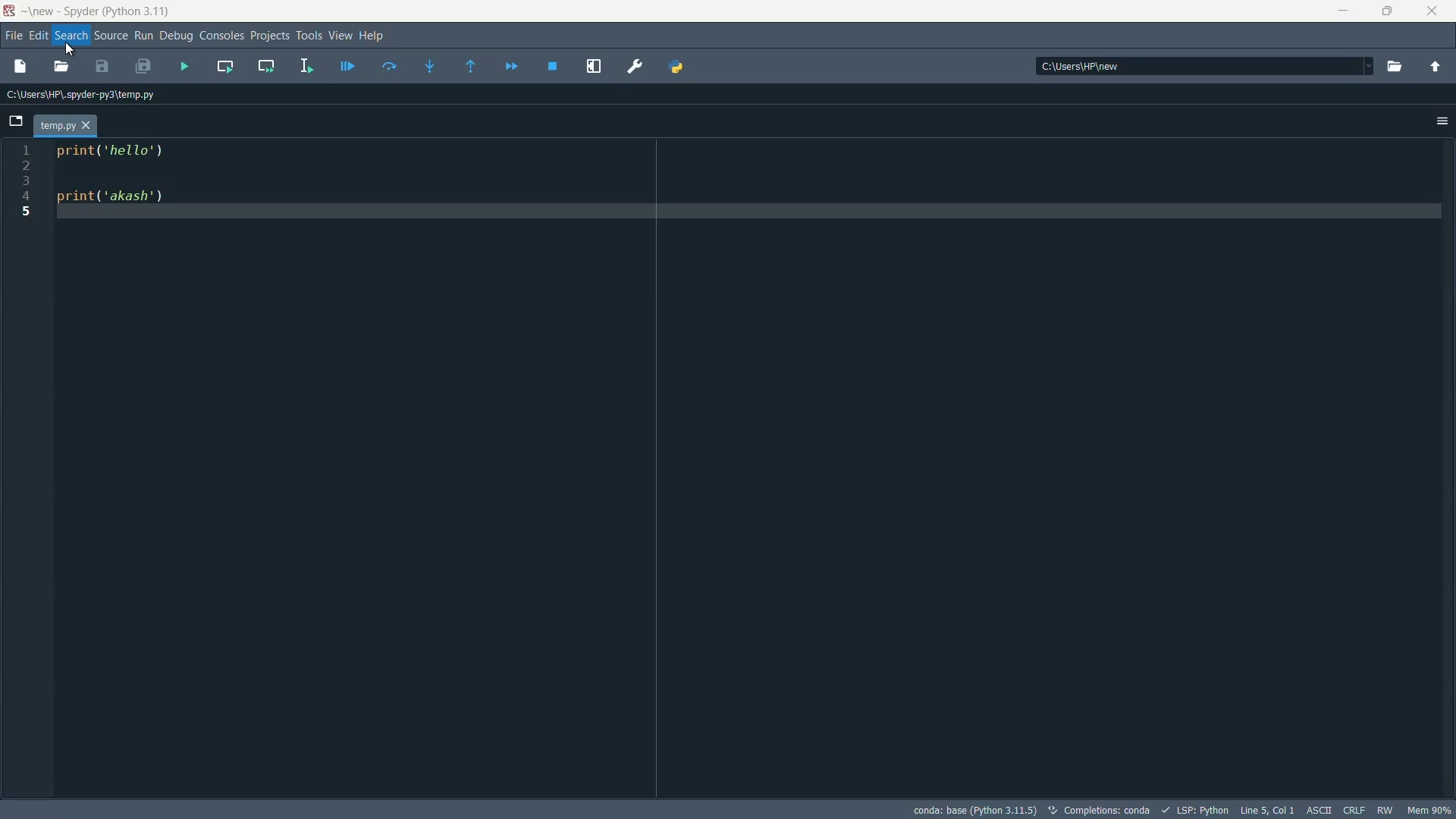 This screenshot has width=1456, height=819. I want to click on edit menu, so click(36, 36).